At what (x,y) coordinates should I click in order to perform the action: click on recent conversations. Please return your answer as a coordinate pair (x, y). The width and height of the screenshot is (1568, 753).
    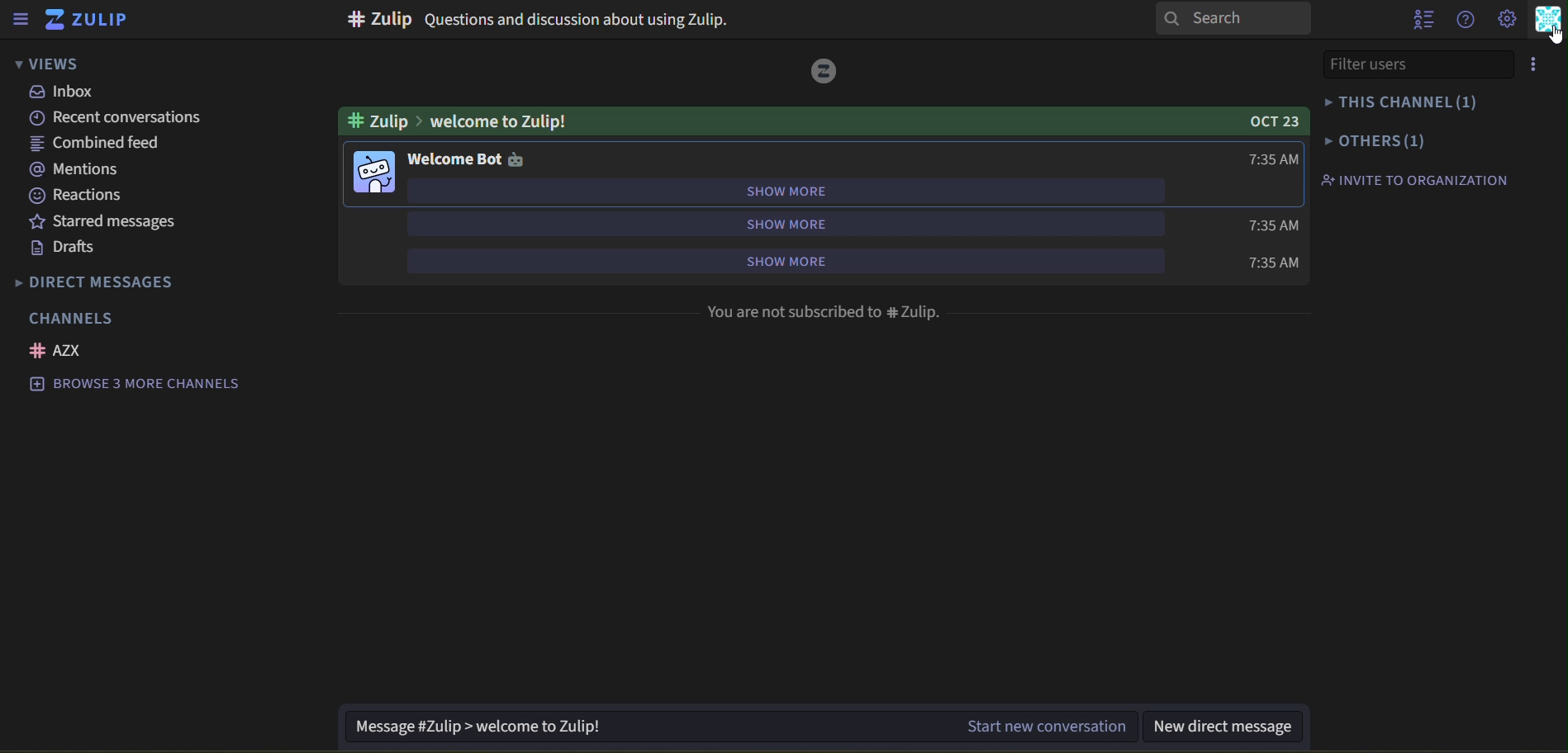
    Looking at the image, I should click on (121, 117).